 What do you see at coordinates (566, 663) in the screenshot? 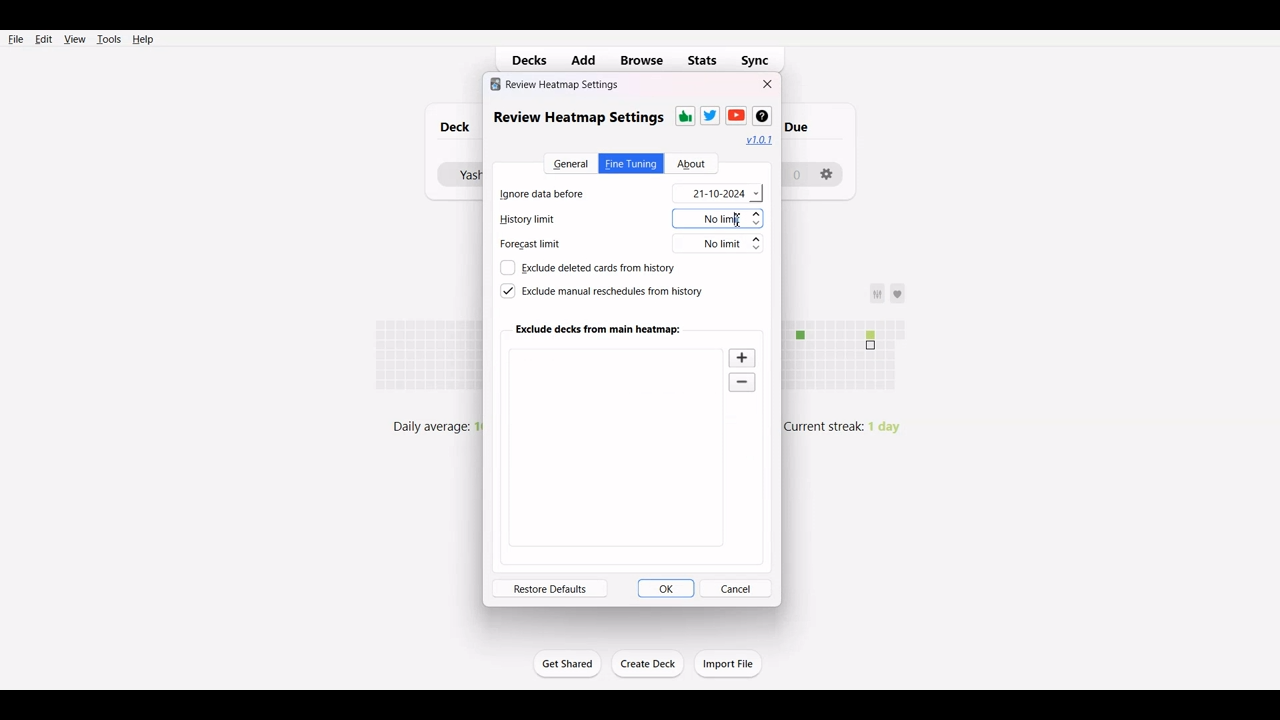
I see `Get Started` at bounding box center [566, 663].